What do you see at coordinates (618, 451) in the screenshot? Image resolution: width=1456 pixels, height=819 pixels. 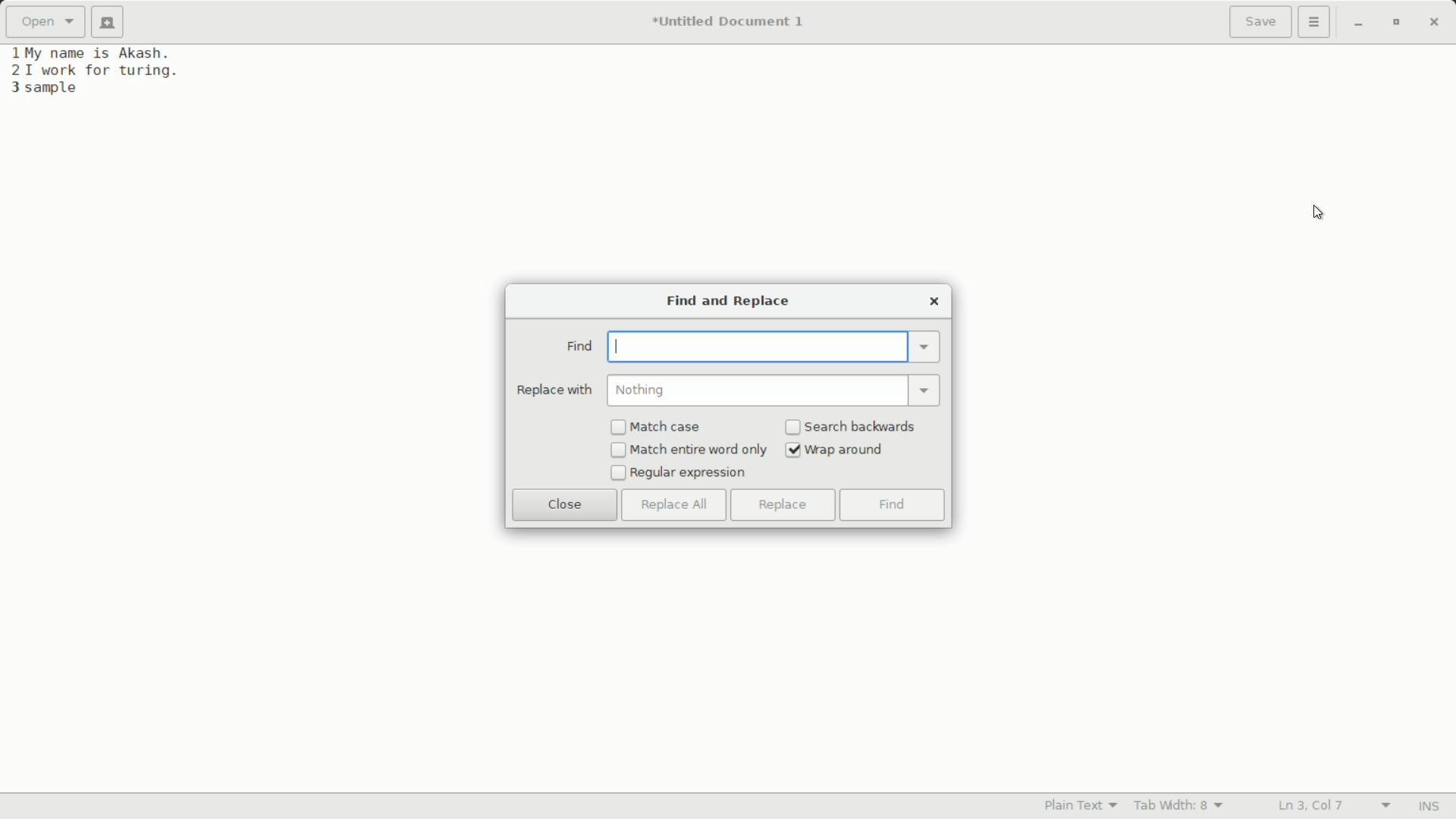 I see `checkbox` at bounding box center [618, 451].